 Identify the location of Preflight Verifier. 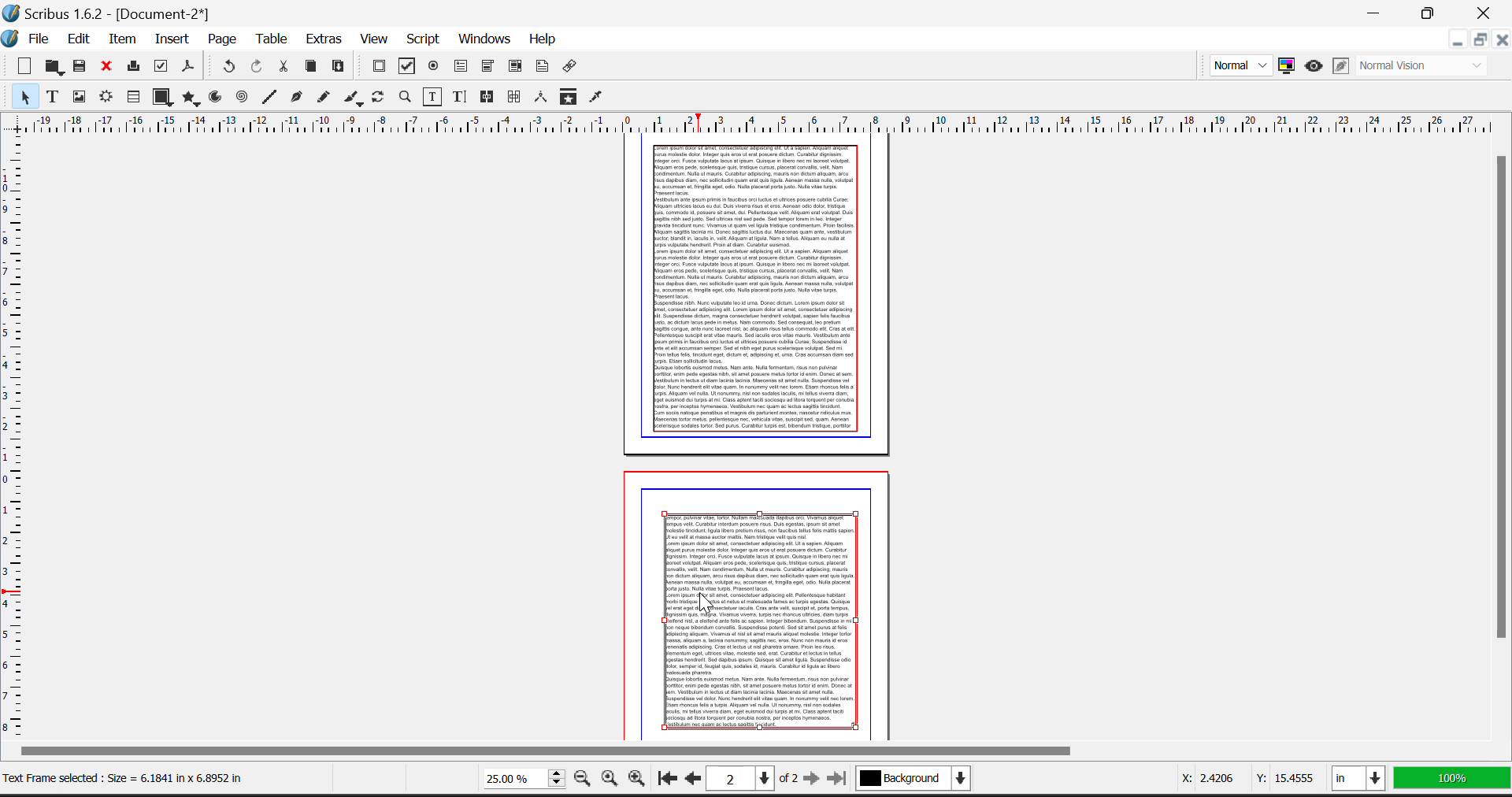
(161, 69).